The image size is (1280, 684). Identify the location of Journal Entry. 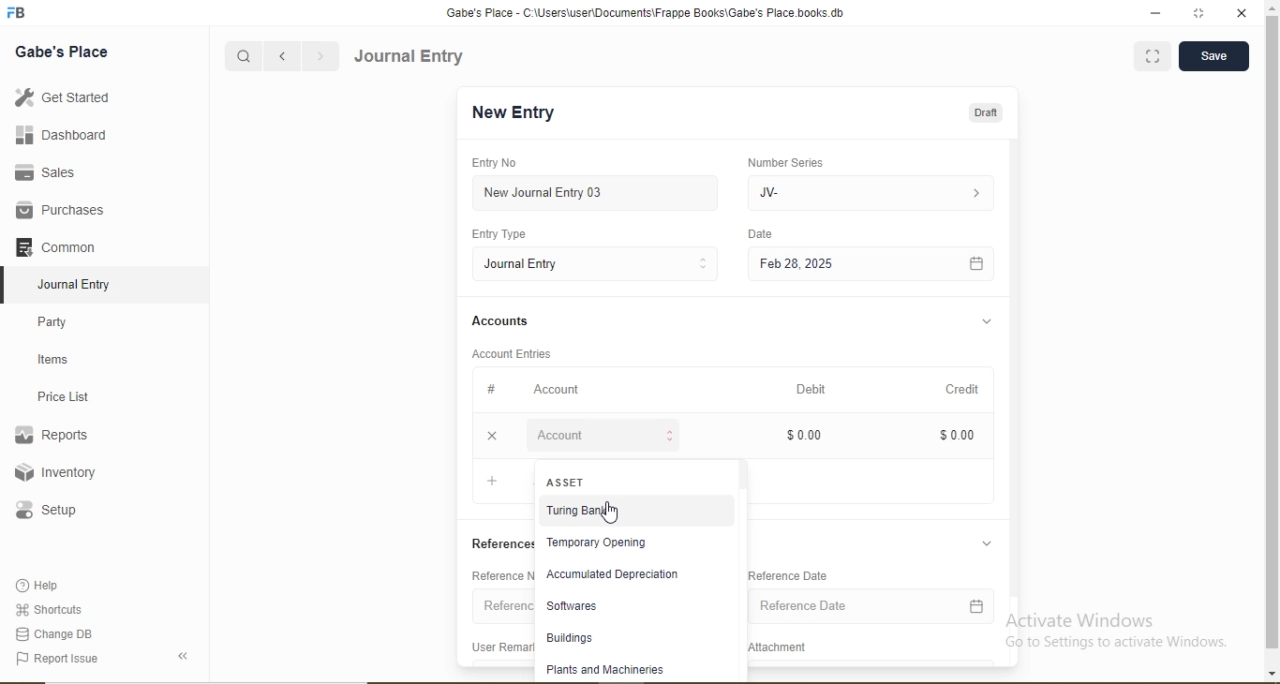
(411, 56).